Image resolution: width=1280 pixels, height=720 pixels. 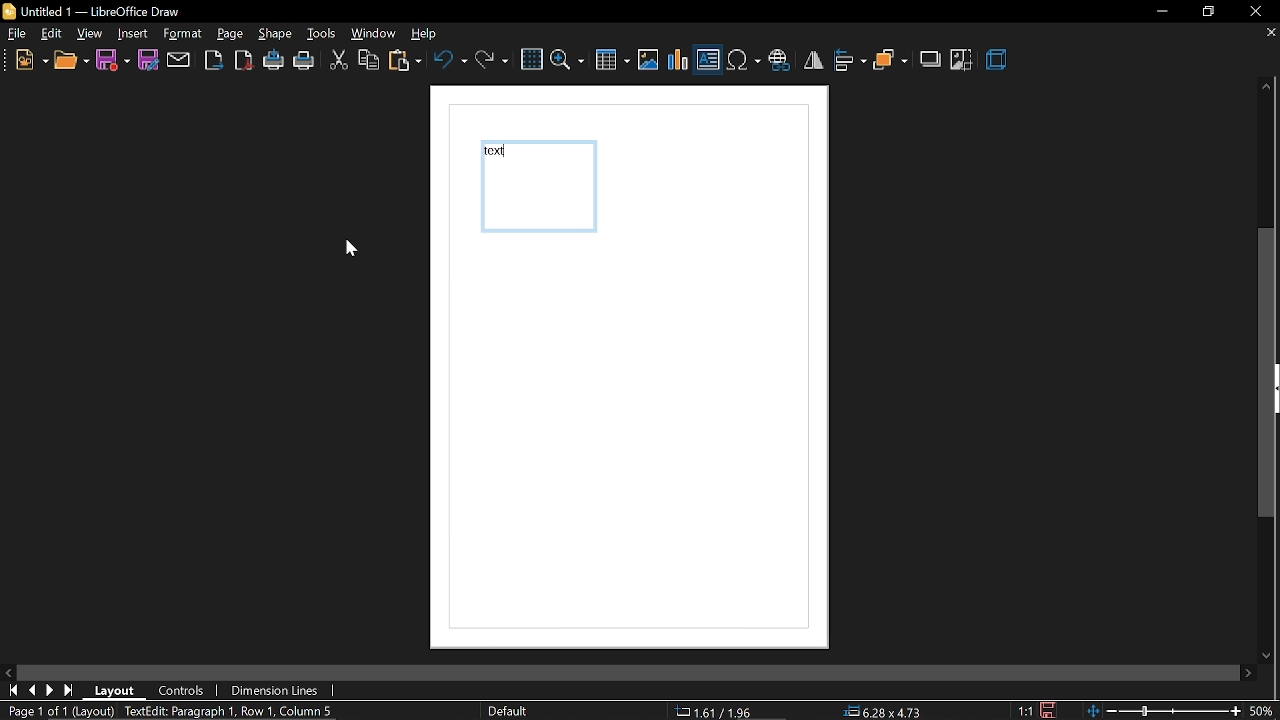 What do you see at coordinates (179, 60) in the screenshot?
I see `attach` at bounding box center [179, 60].